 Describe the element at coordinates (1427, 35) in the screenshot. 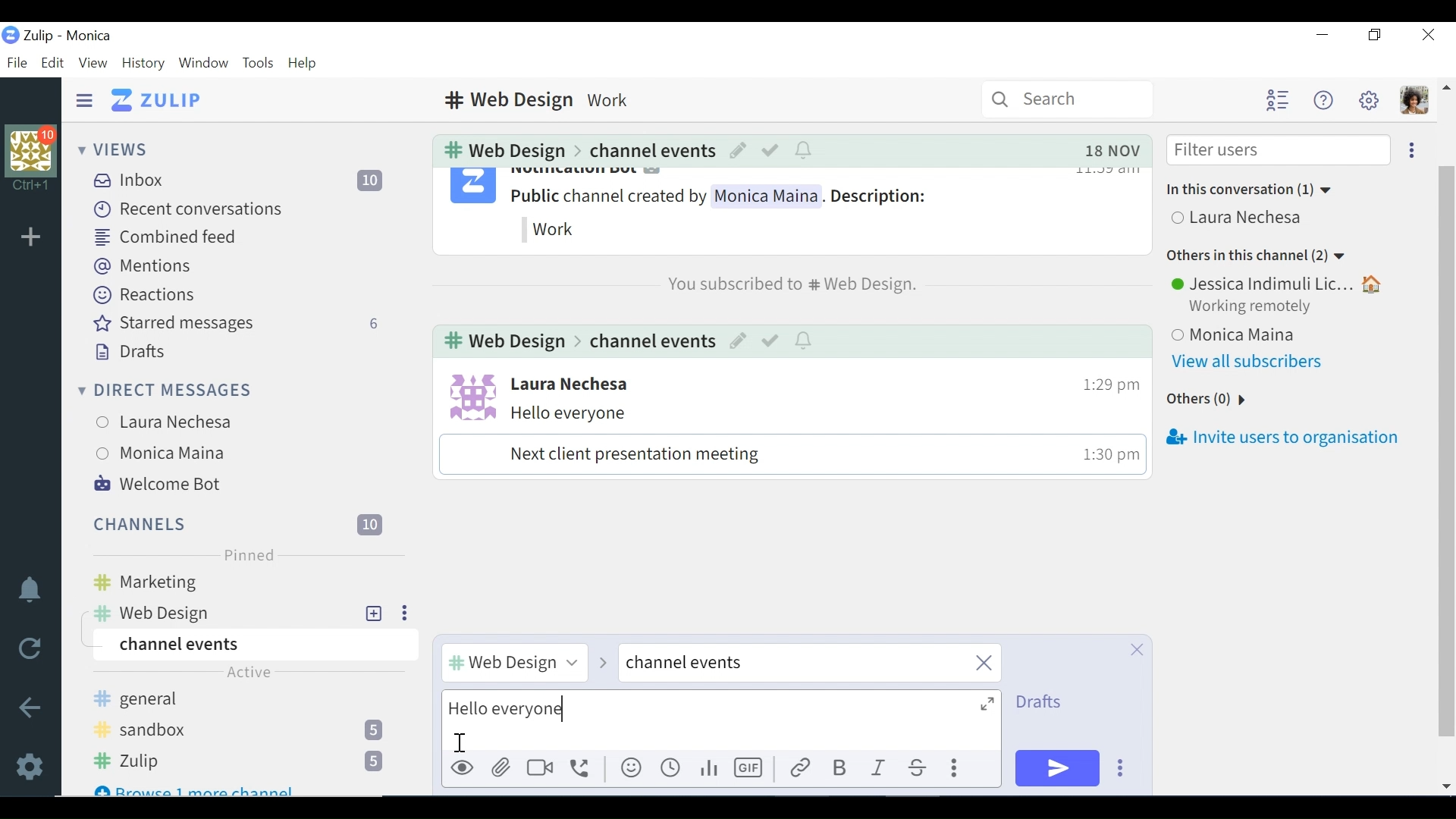

I see `Close` at that location.